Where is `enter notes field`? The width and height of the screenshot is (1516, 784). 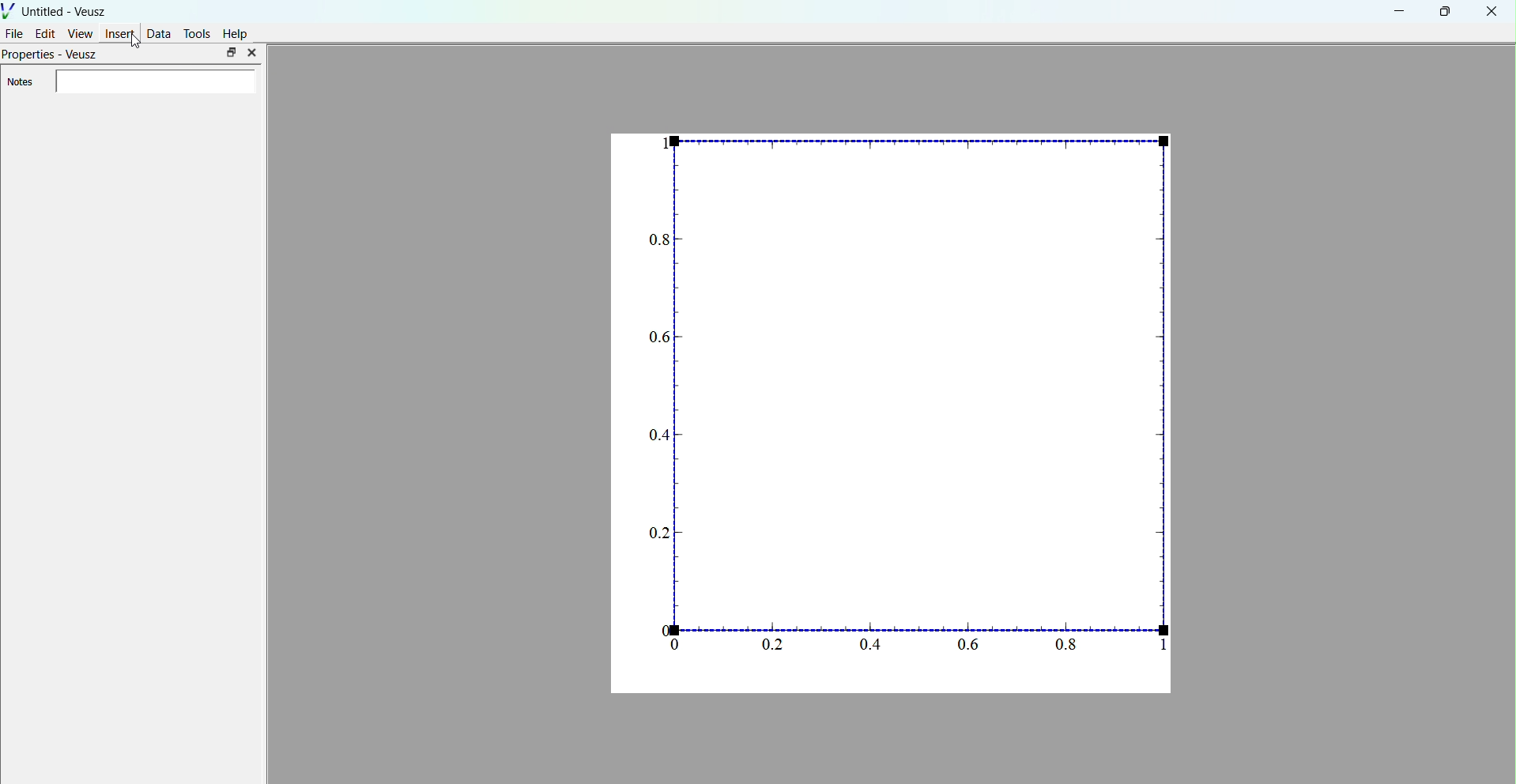 enter notes field is located at coordinates (155, 82).